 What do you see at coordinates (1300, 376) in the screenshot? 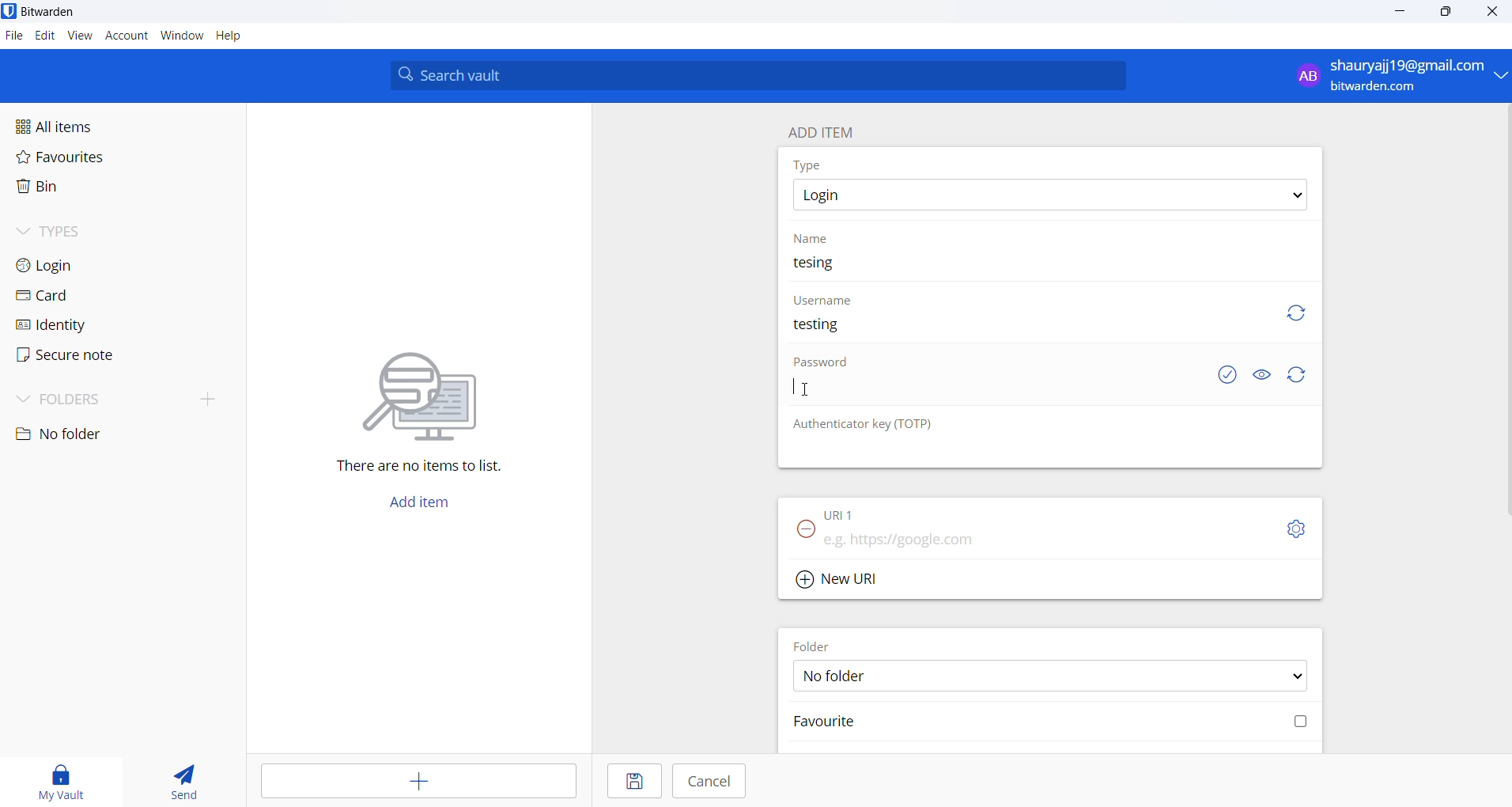
I see `generate password` at bounding box center [1300, 376].